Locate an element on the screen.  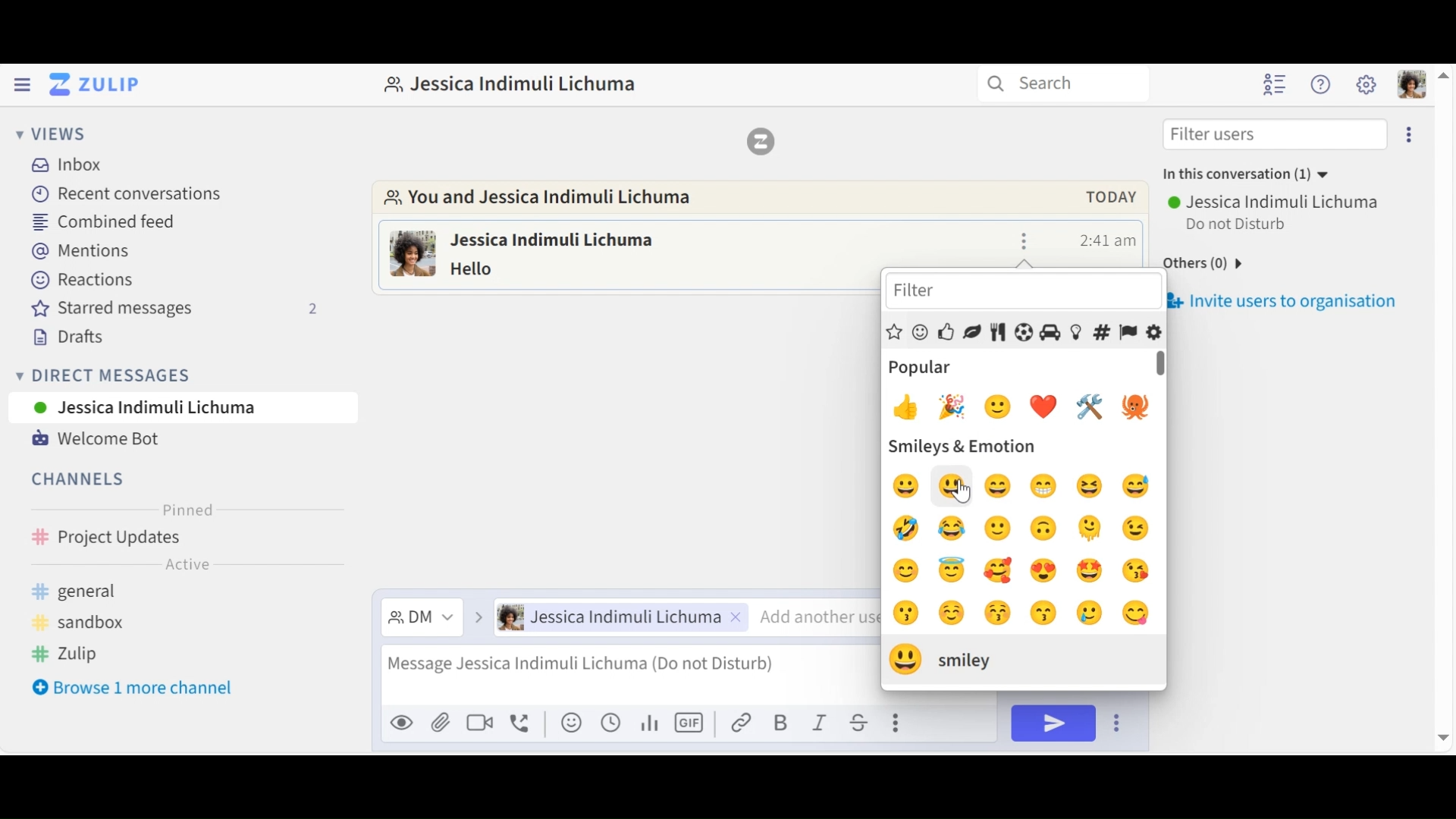
Mentions is located at coordinates (80, 252).